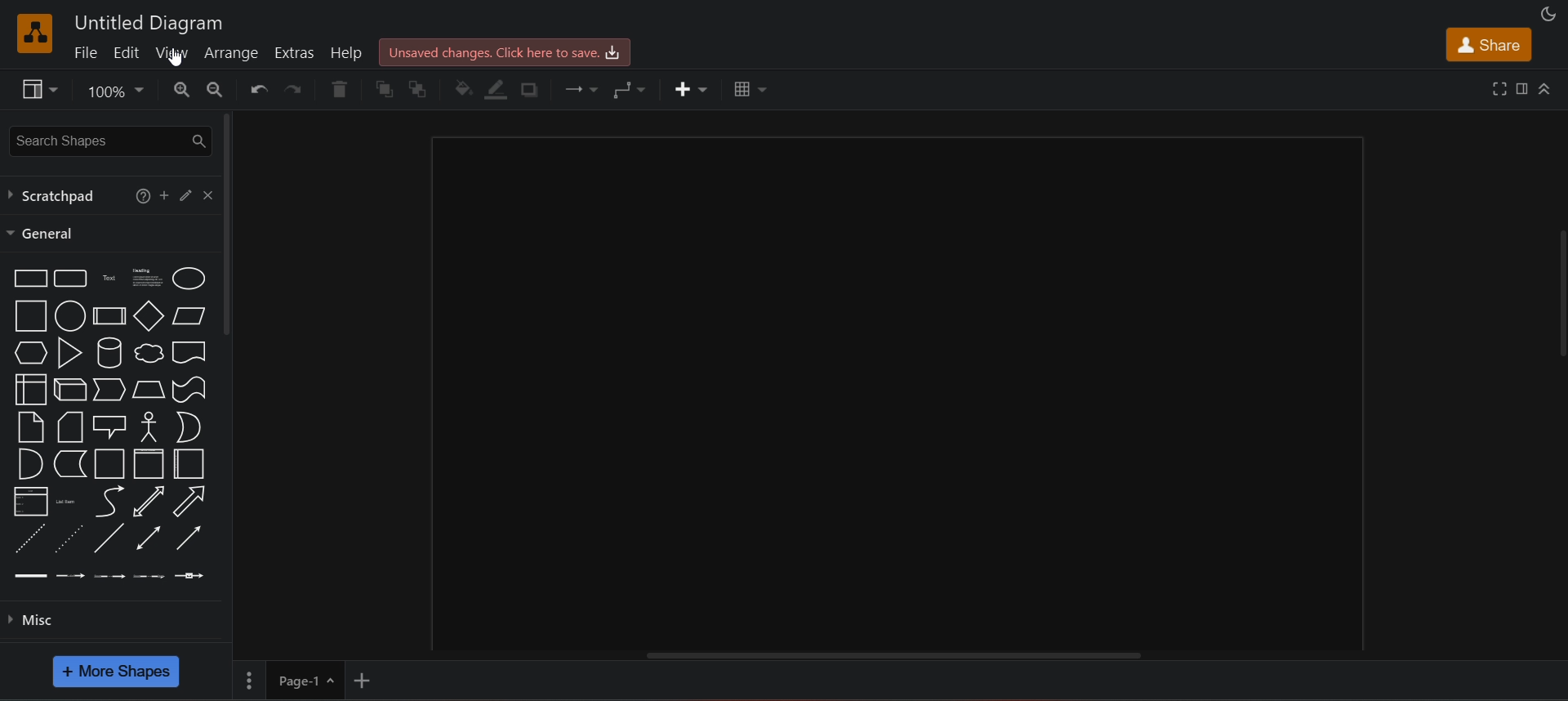 The width and height of the screenshot is (1568, 701). I want to click on zoom out, so click(216, 89).